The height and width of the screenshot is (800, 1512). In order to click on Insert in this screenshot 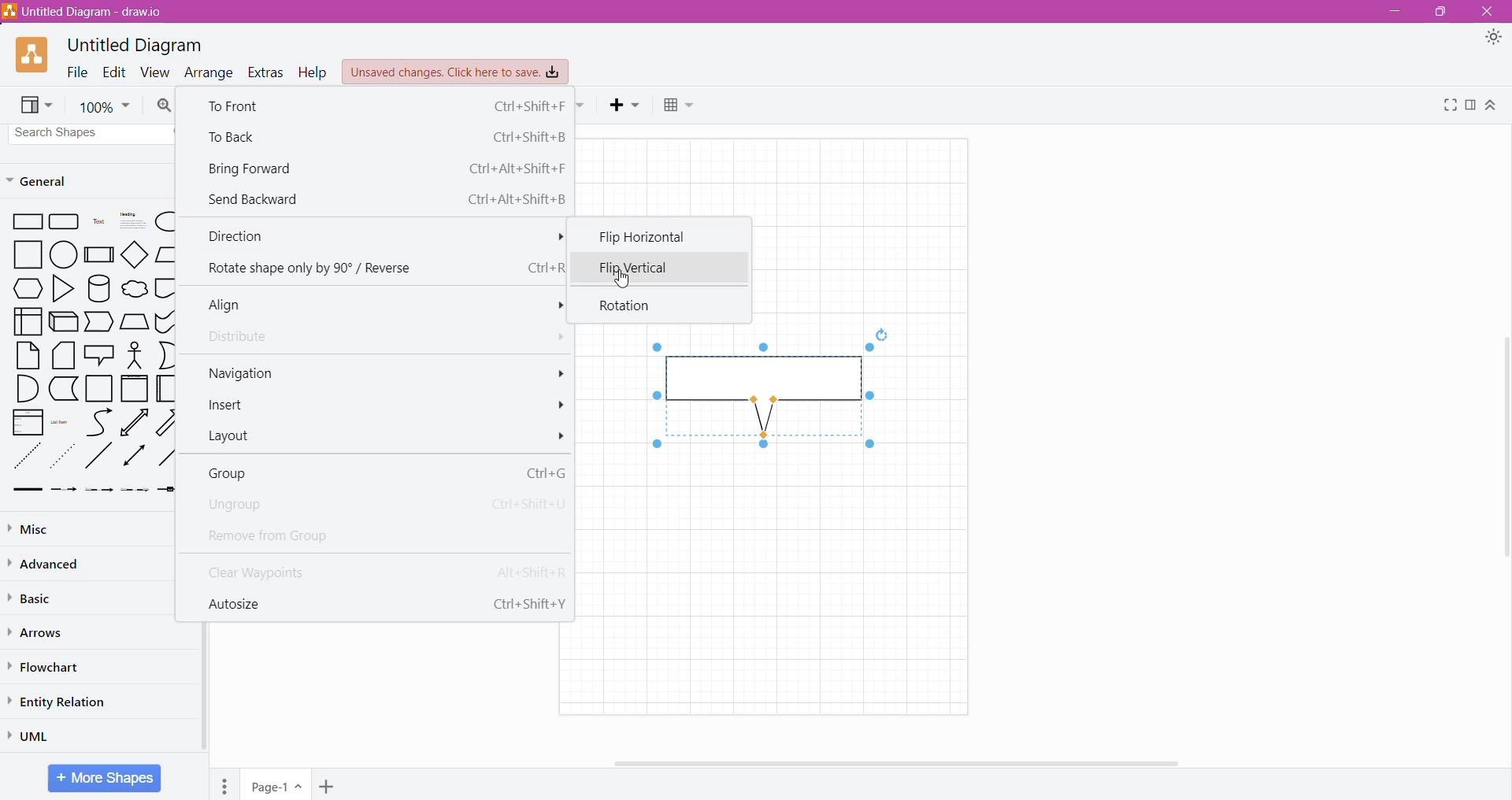, I will do `click(232, 406)`.